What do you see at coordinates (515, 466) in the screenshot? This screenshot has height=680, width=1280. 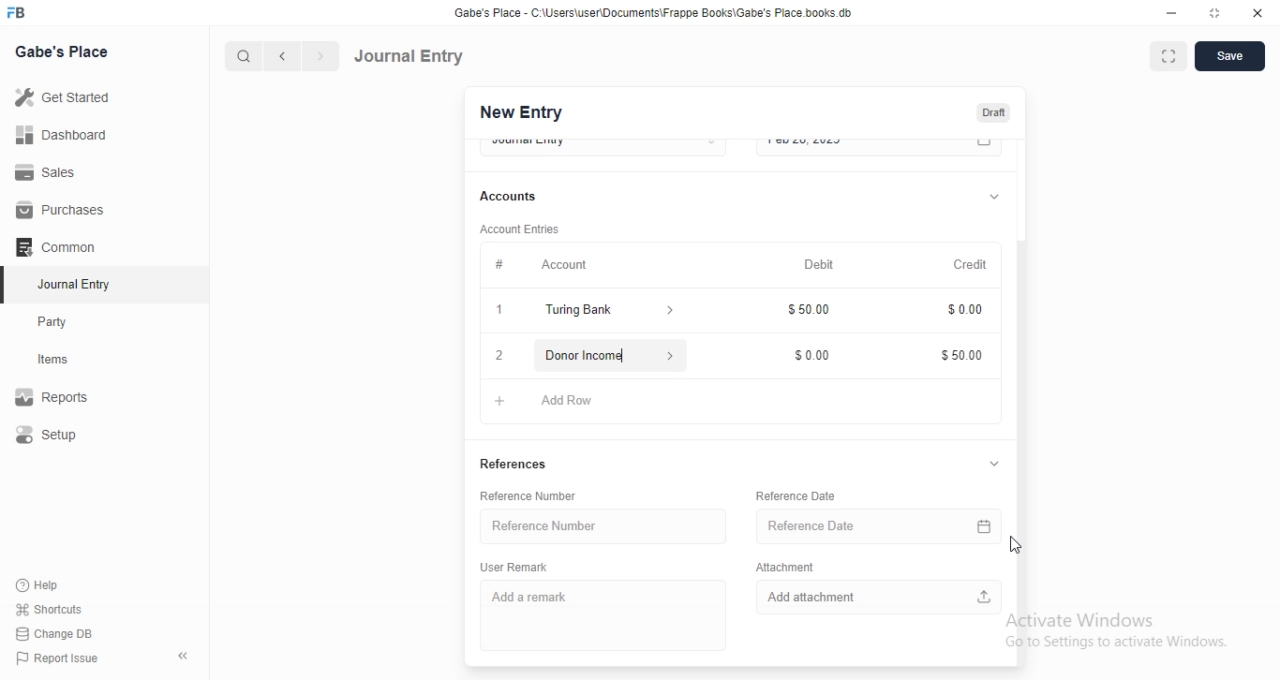 I see `References` at bounding box center [515, 466].